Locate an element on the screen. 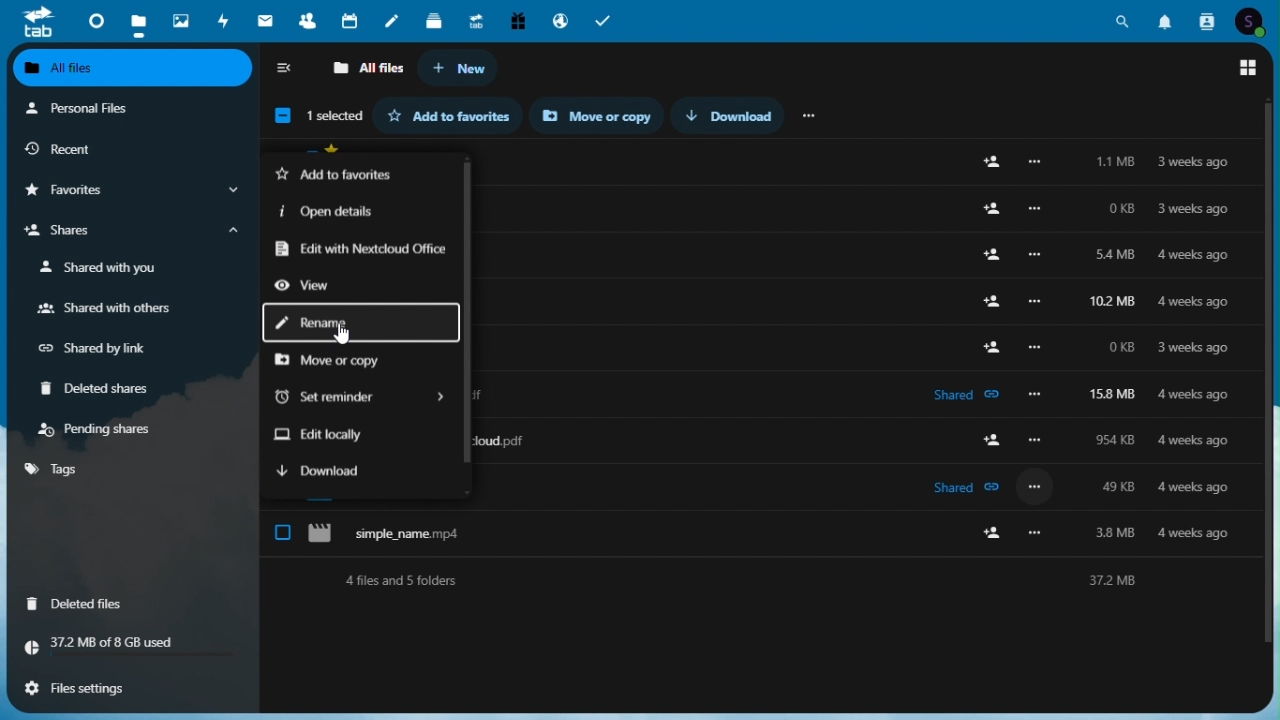  set reminder 151 MB 4 weeks ago is located at coordinates (757, 395).